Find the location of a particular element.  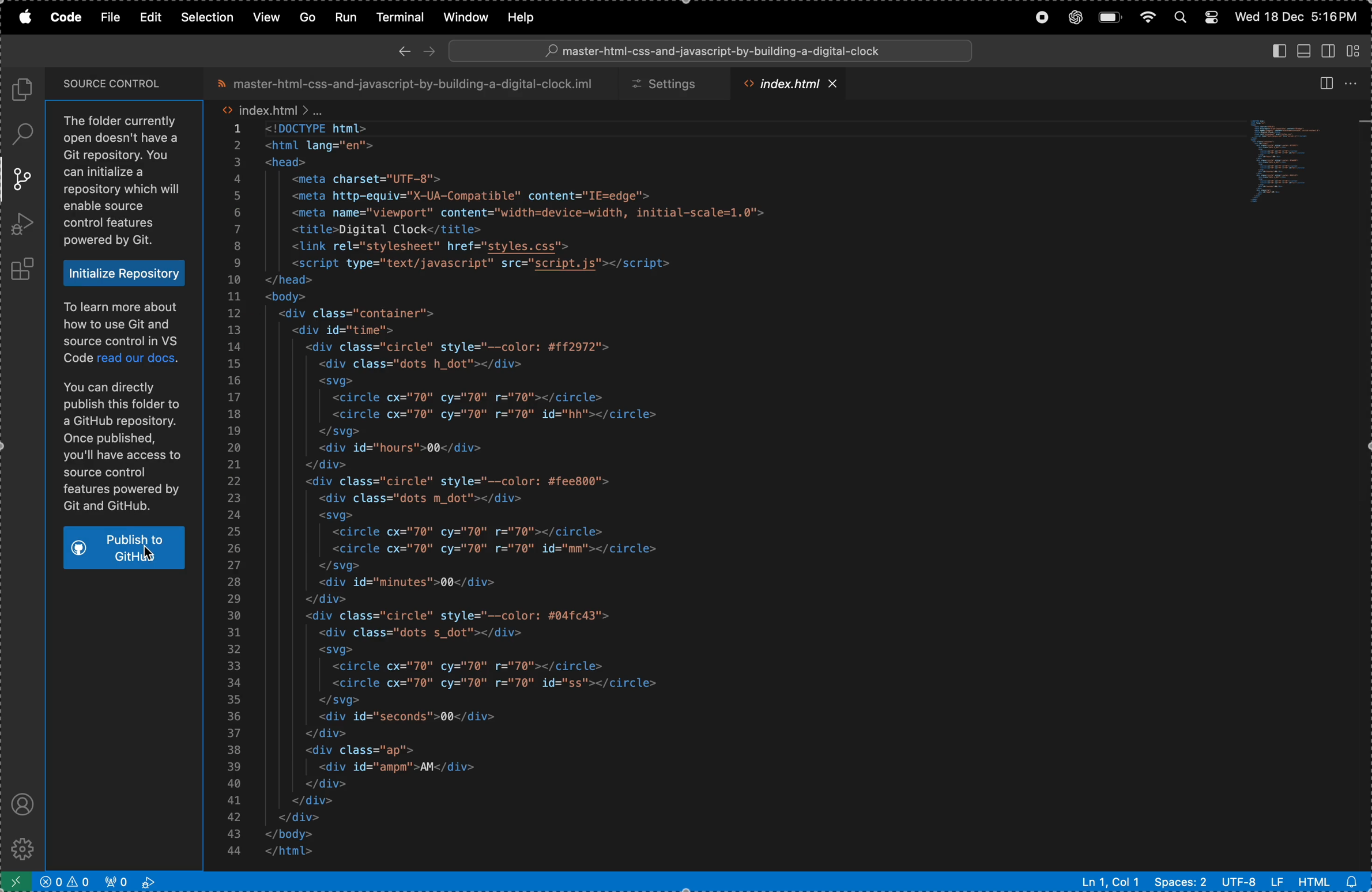

</svg> is located at coordinates (349, 432).